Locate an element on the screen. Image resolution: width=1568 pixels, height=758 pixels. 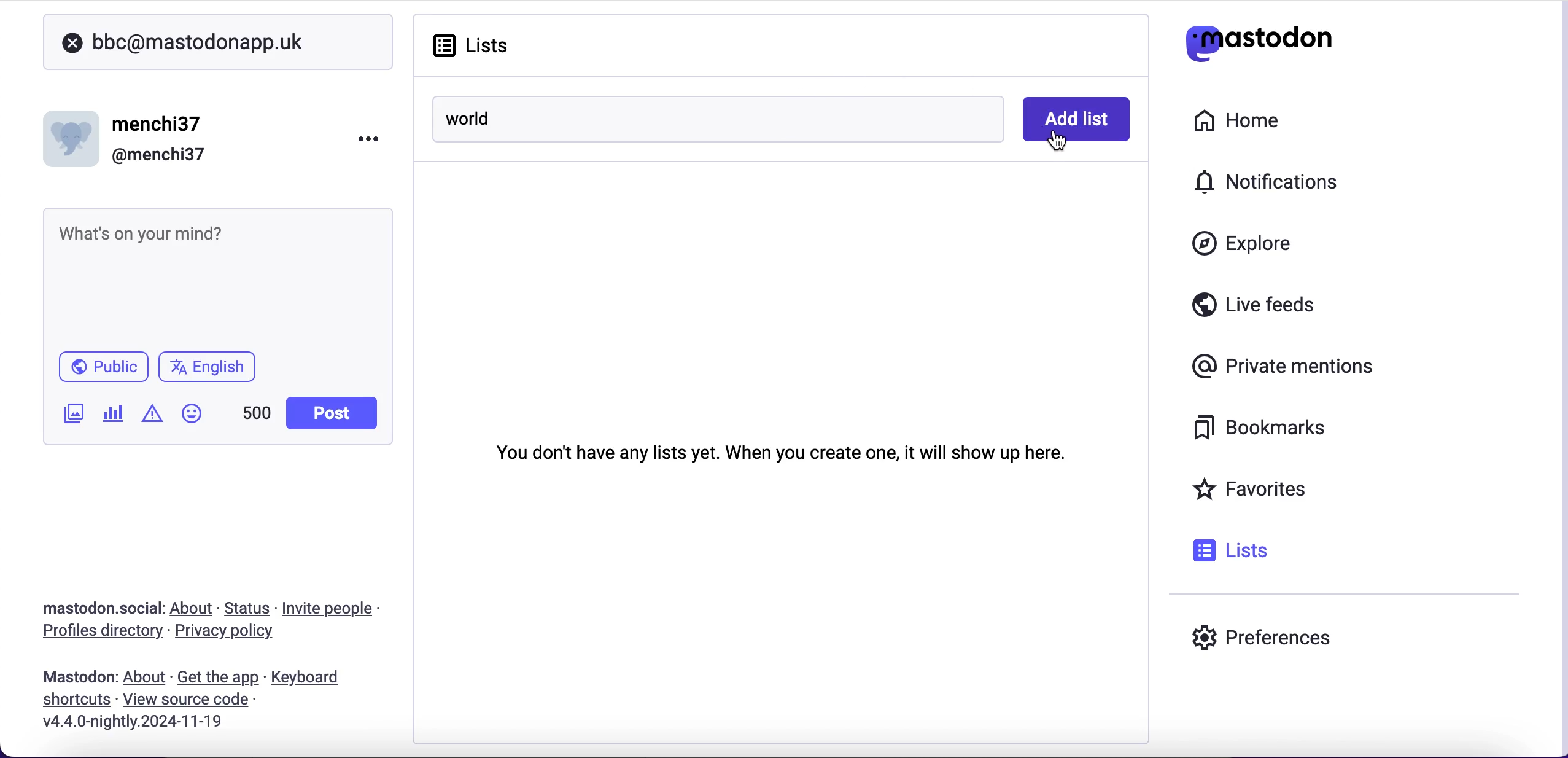
you don't have any lists yet is located at coordinates (780, 450).